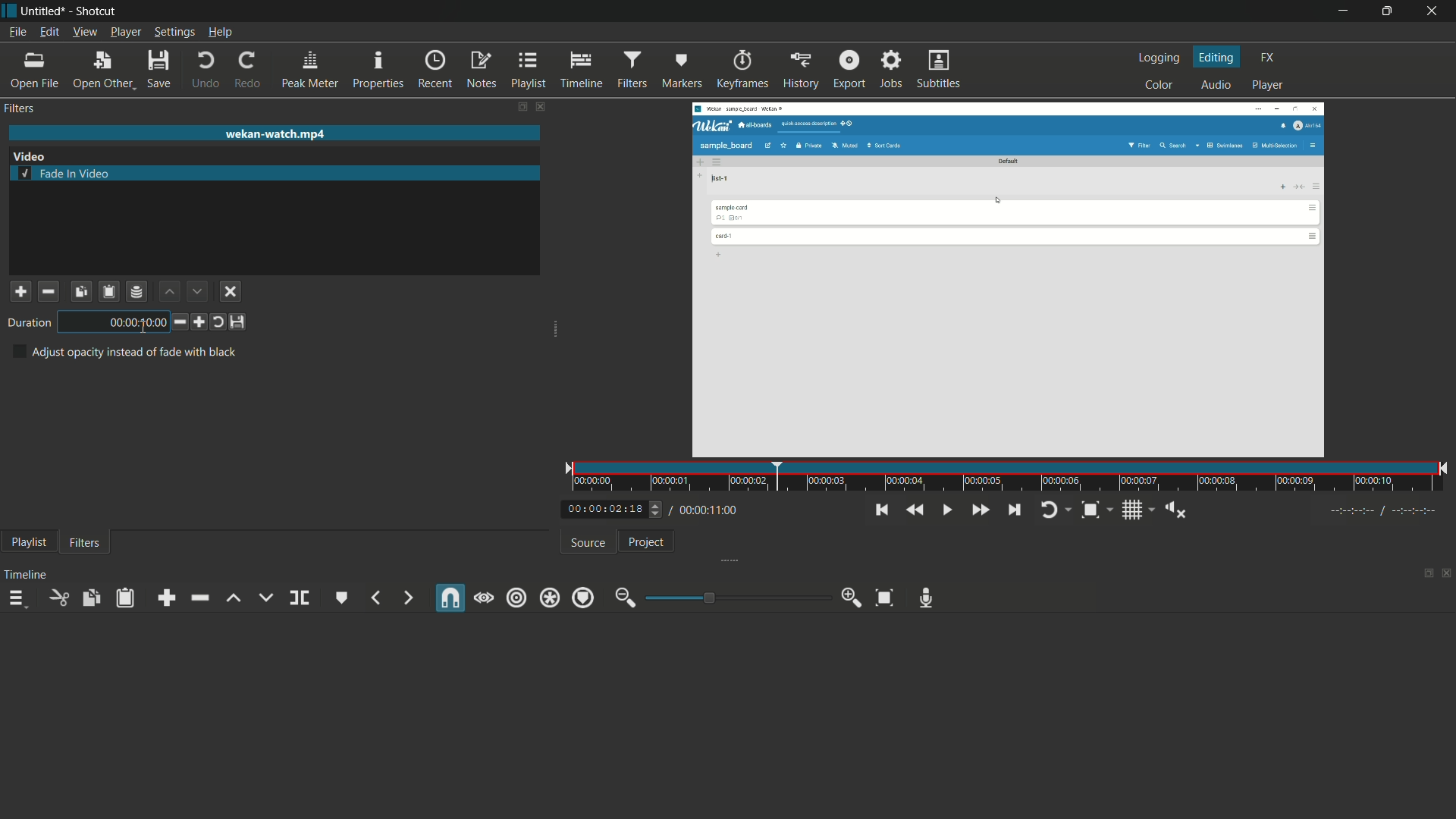 Image resolution: width=1456 pixels, height=819 pixels. Describe the element at coordinates (946, 510) in the screenshot. I see `toggle play or pause` at that location.